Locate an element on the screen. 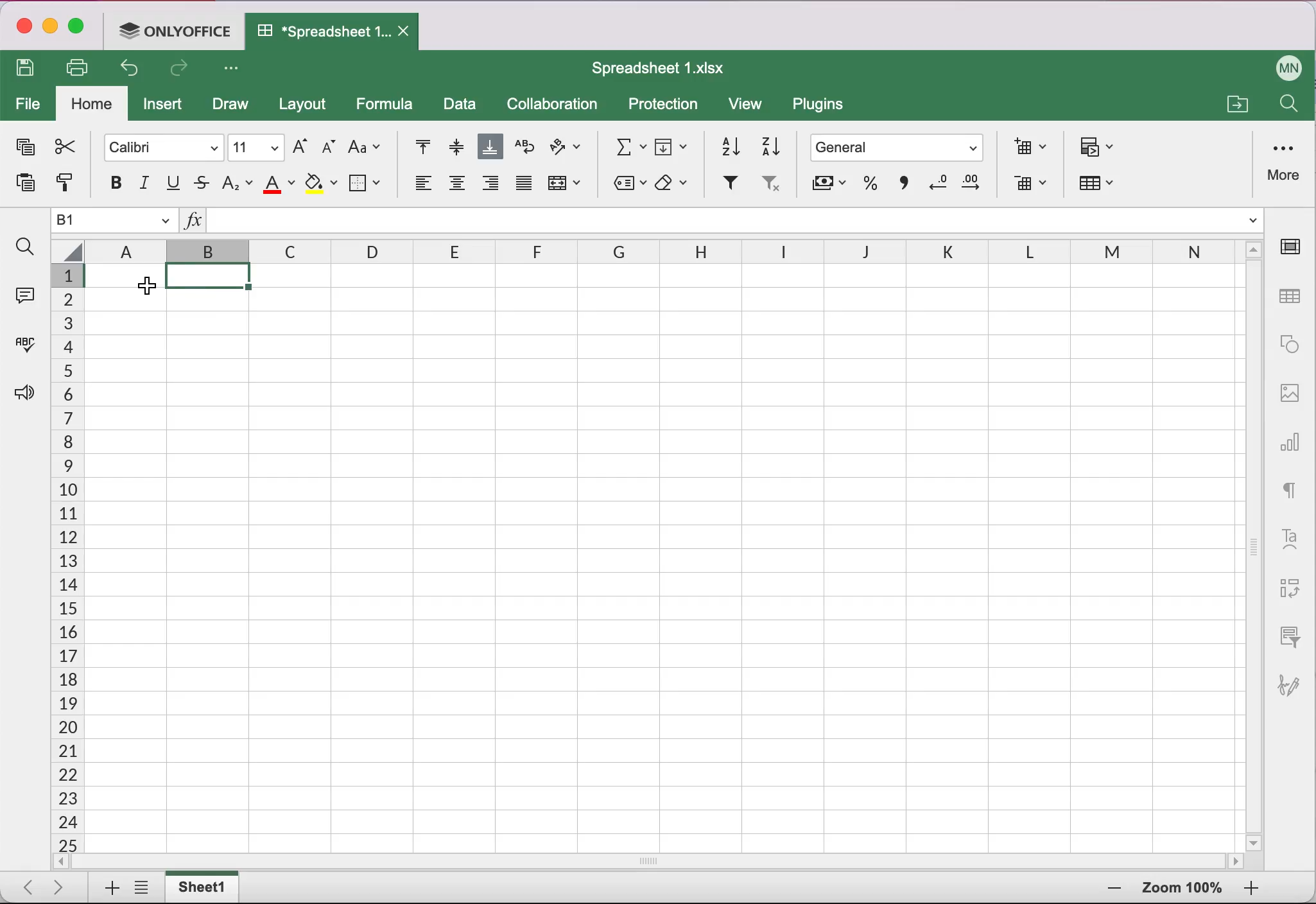 The image size is (1316, 904). font color is located at coordinates (280, 184).